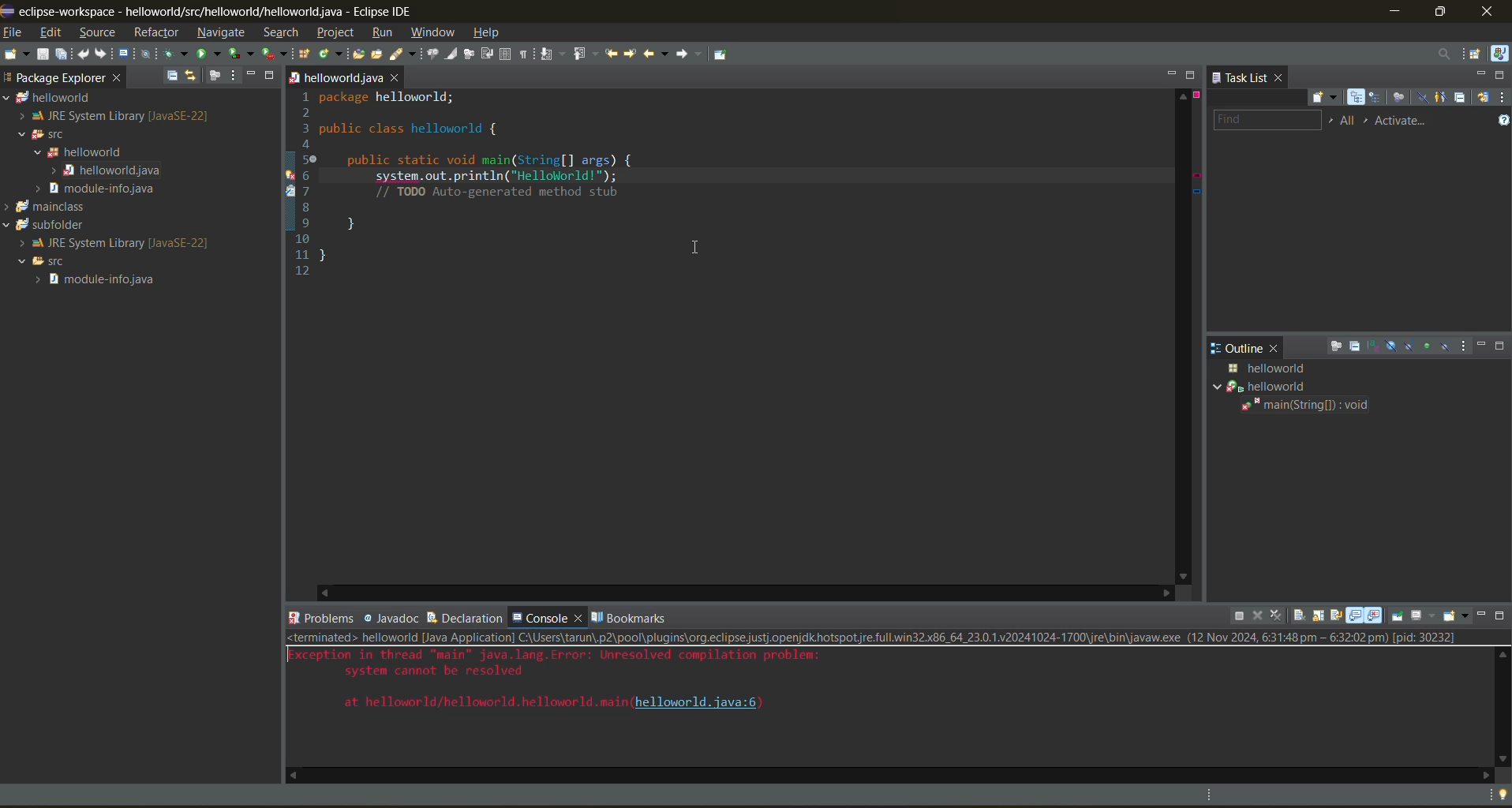  I want to click on terminate, so click(1242, 616).